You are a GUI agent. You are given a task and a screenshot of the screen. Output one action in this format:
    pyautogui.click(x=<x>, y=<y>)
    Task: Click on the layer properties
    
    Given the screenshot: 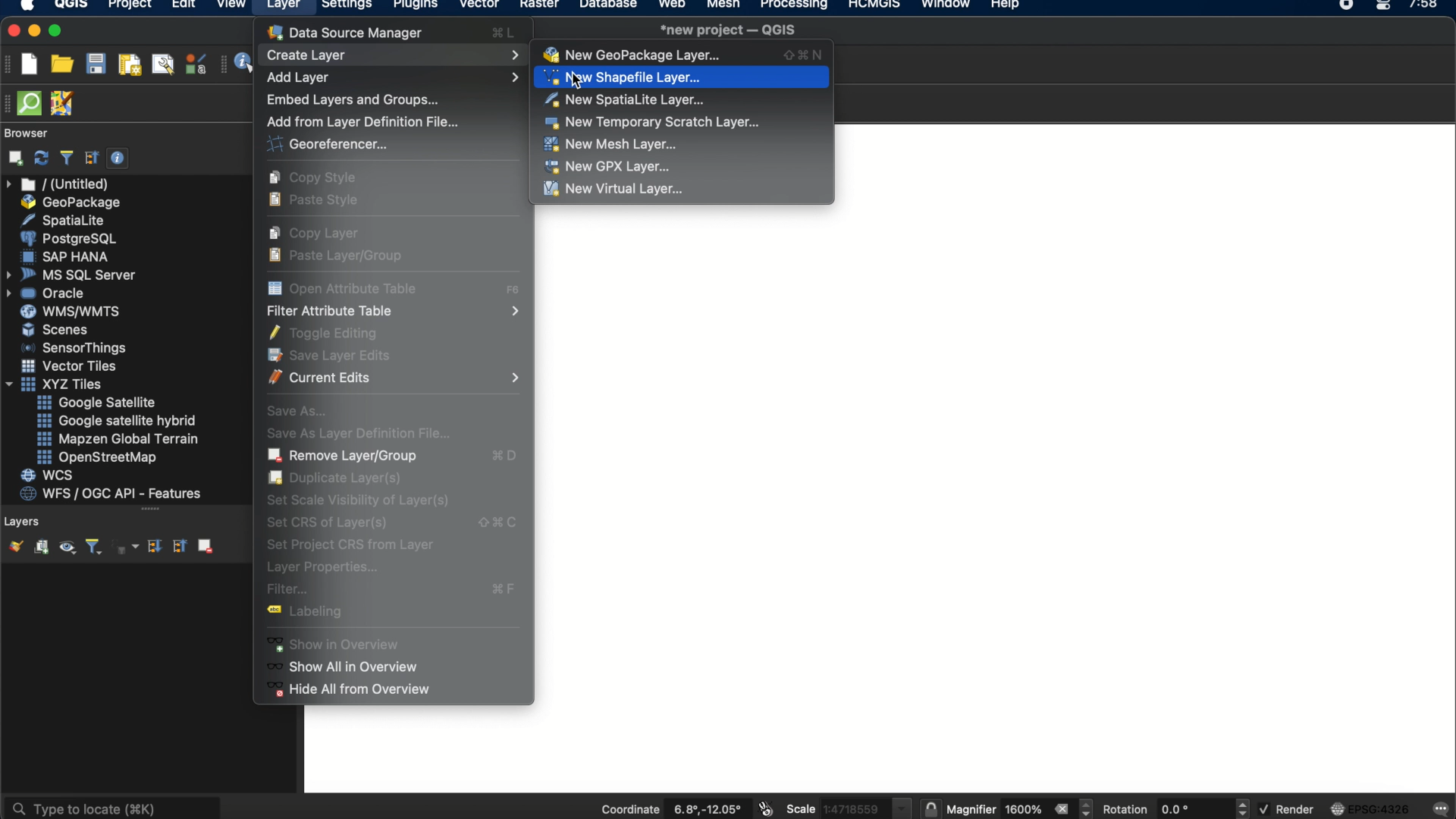 What is the action you would take?
    pyautogui.click(x=321, y=566)
    